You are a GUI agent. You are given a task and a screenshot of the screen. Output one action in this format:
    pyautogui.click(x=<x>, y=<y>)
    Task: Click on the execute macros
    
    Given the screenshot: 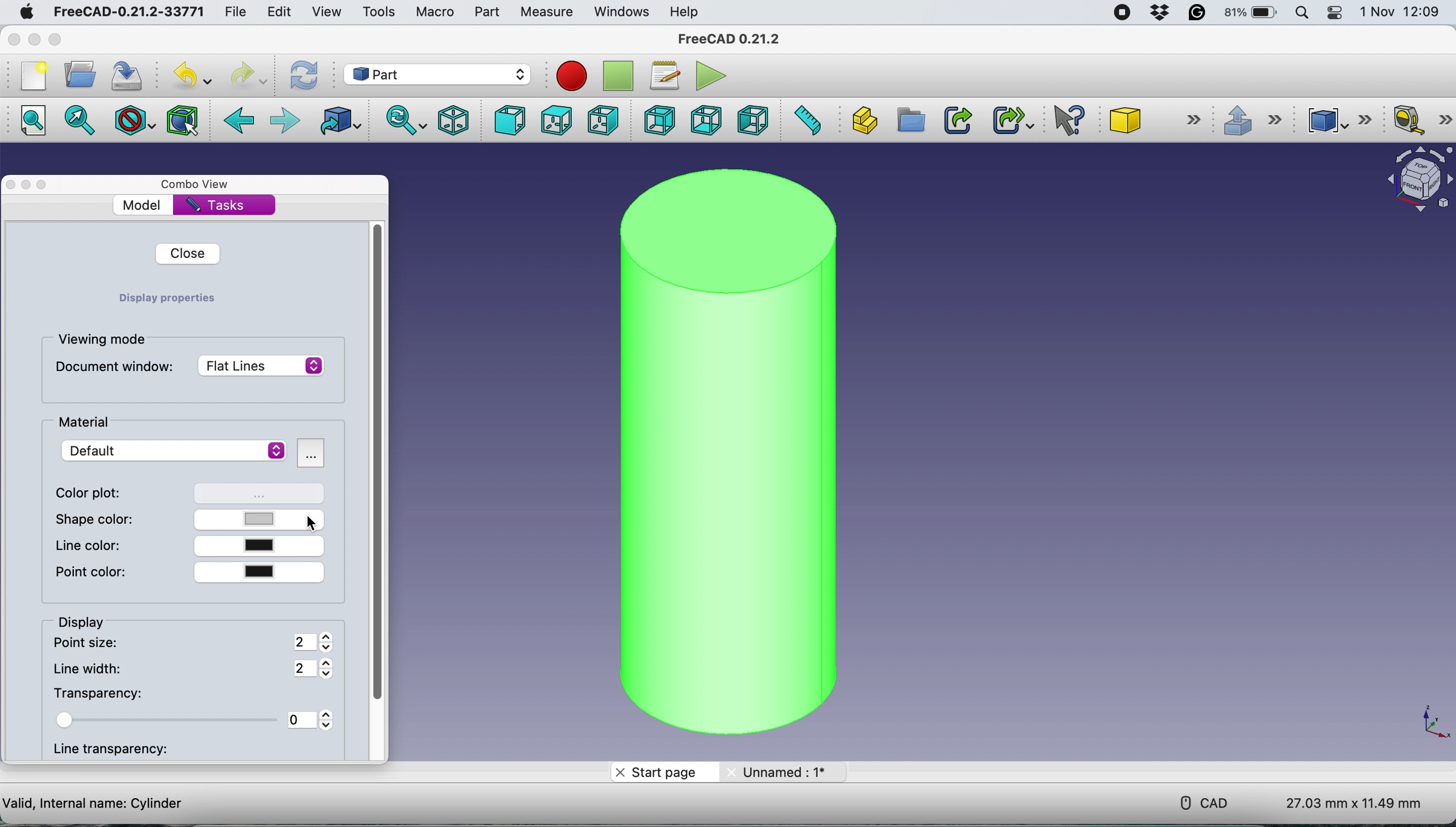 What is the action you would take?
    pyautogui.click(x=706, y=74)
    